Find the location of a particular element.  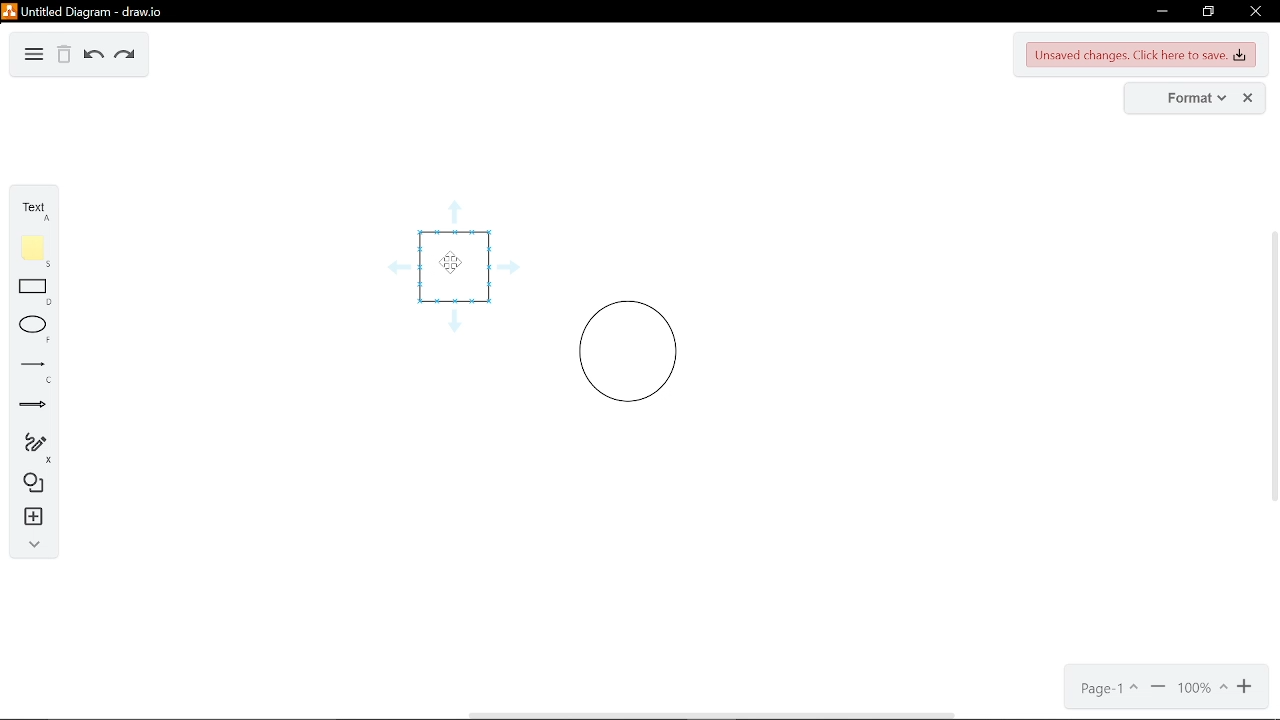

guide arrow is located at coordinates (507, 266).